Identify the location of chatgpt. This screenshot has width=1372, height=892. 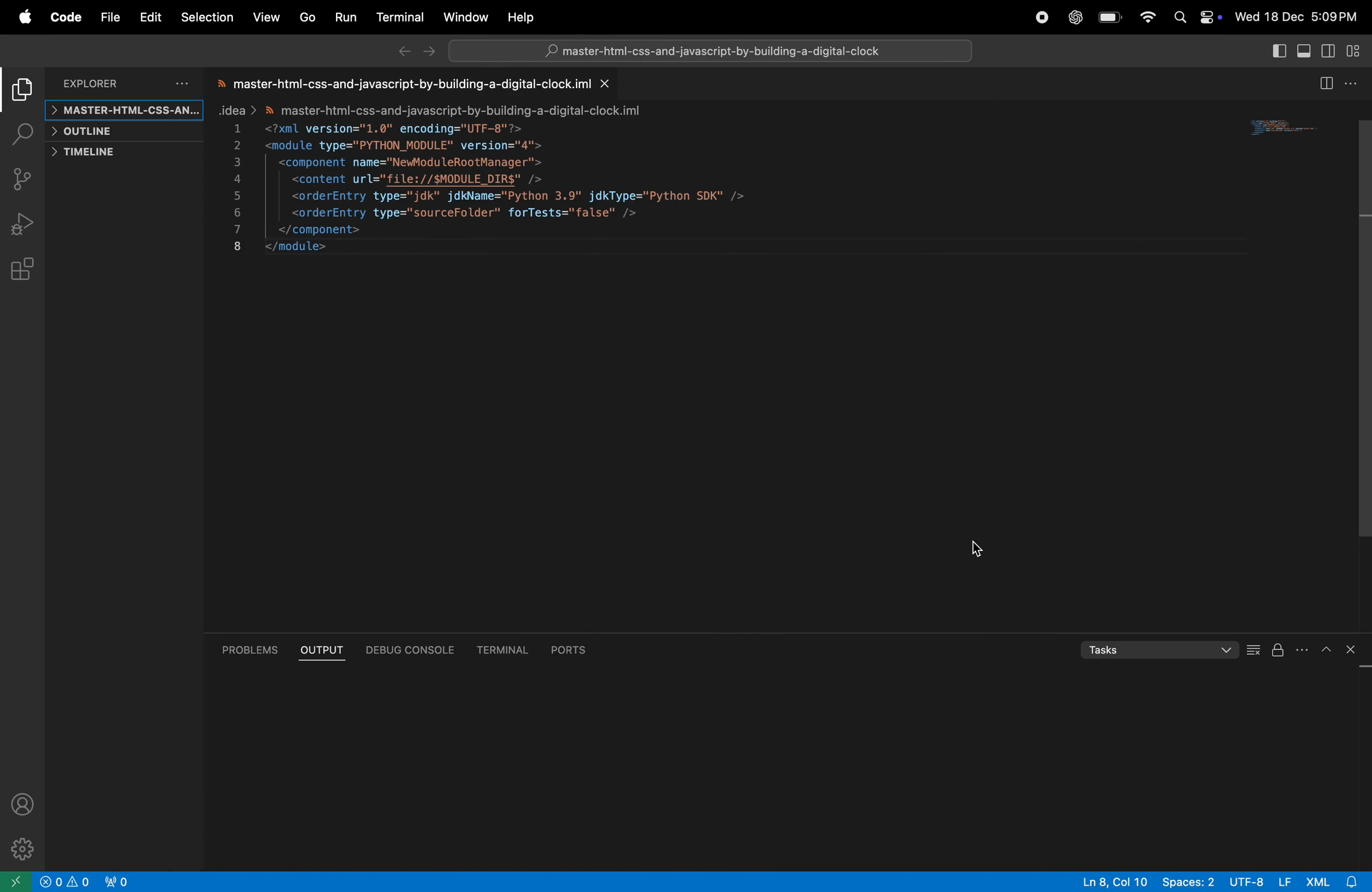
(1075, 18).